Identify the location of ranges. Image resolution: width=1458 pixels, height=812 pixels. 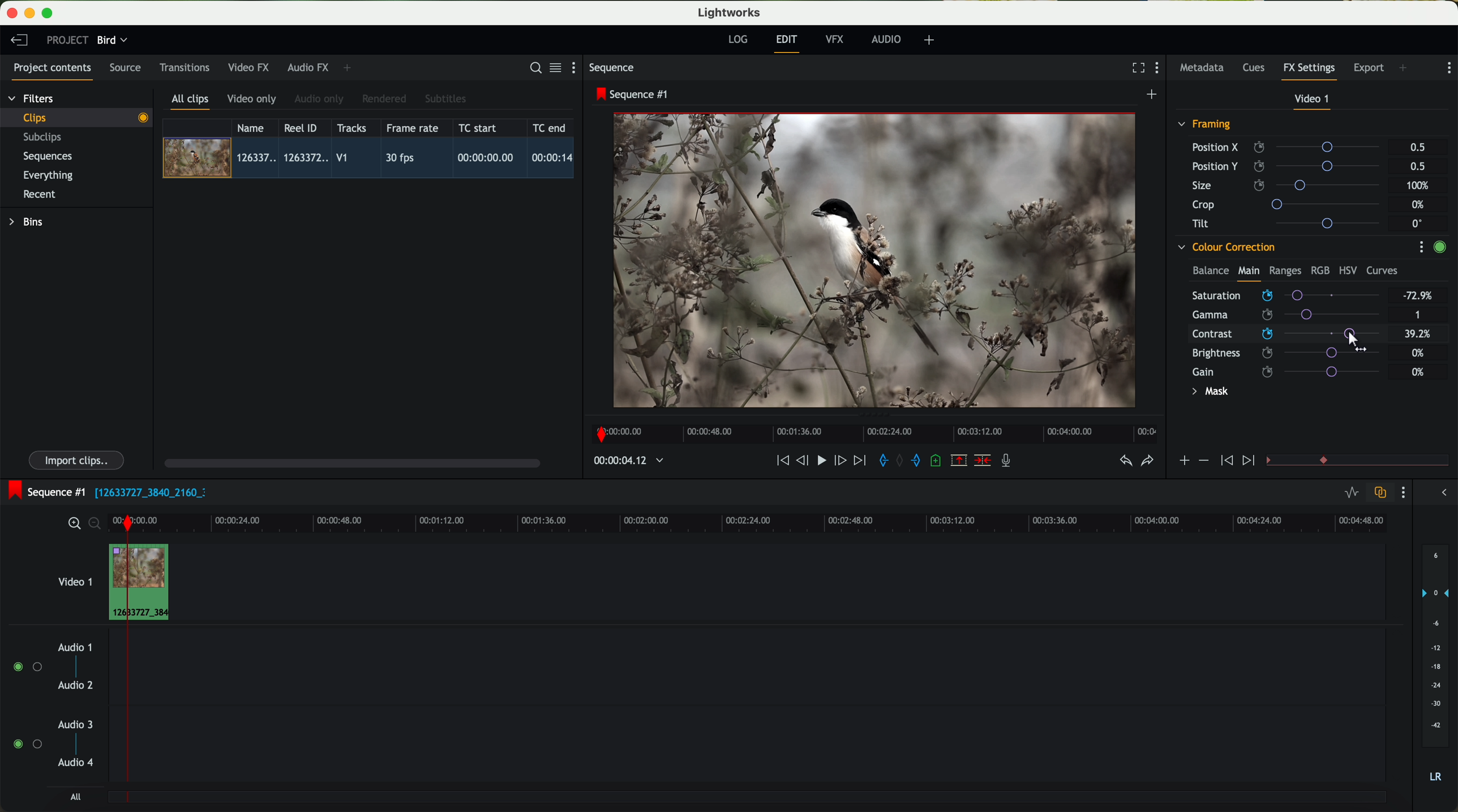
(1285, 270).